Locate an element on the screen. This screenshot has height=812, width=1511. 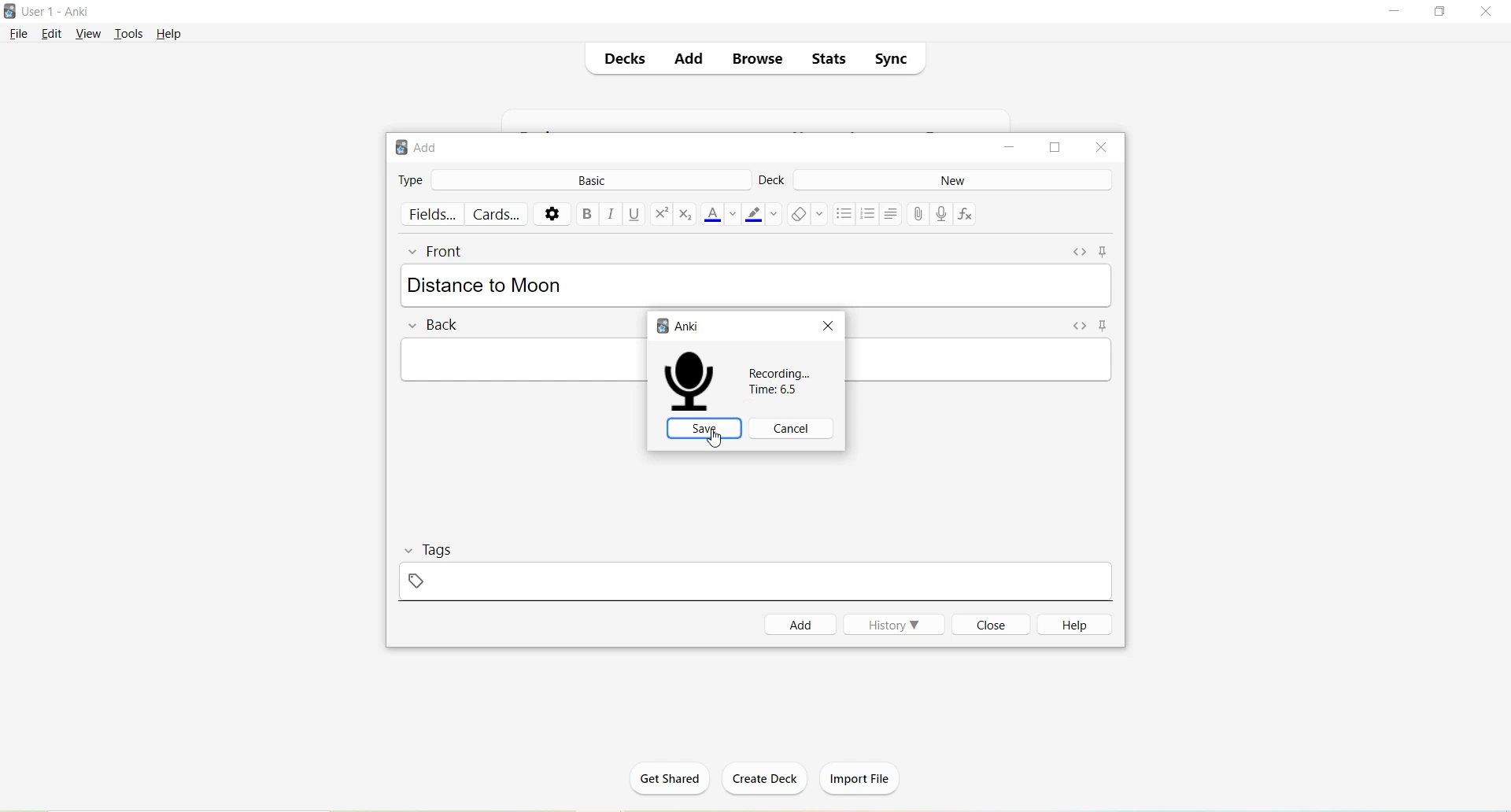
Text highlight color is located at coordinates (762, 213).